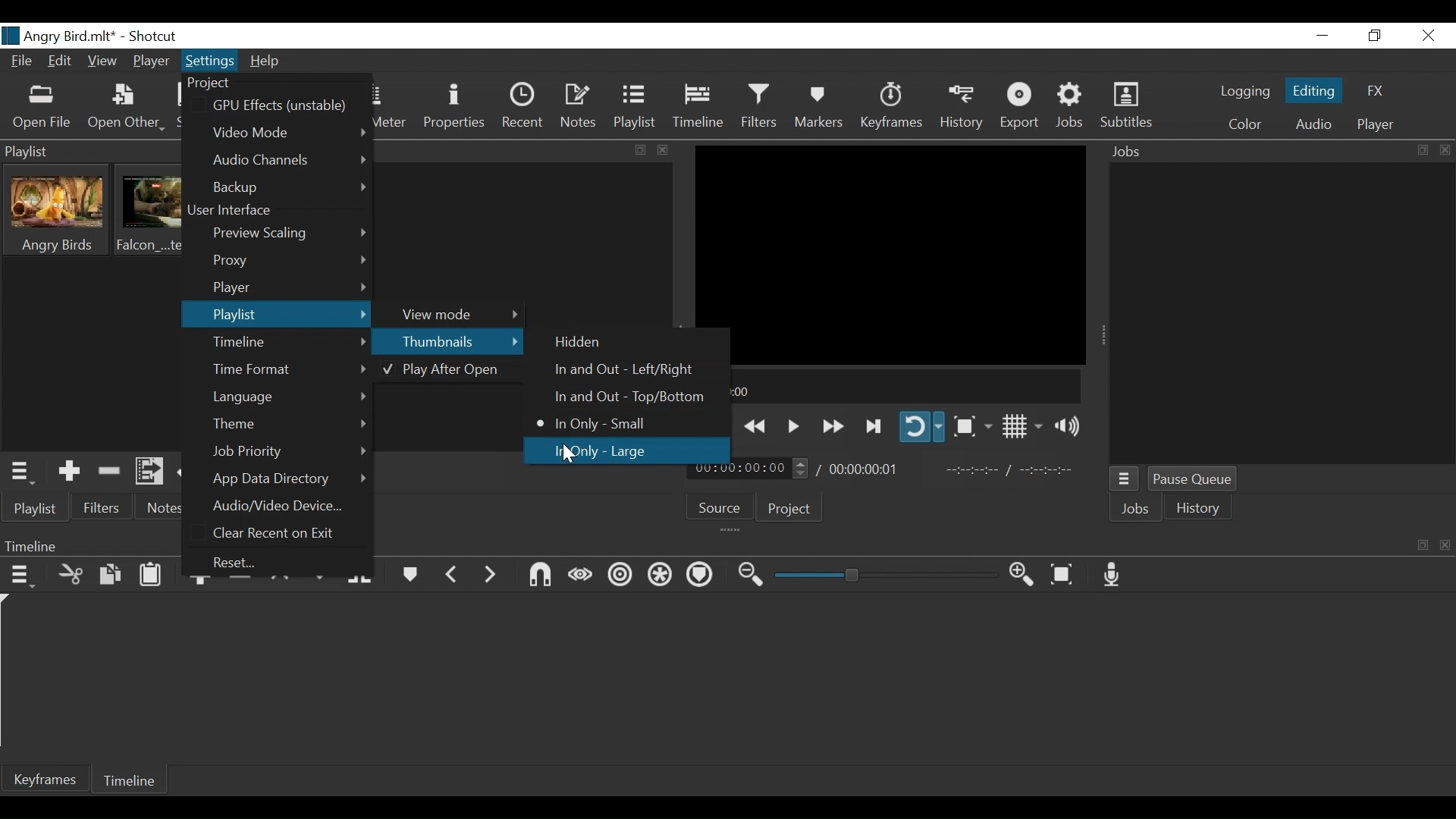 This screenshot has width=1456, height=819. What do you see at coordinates (714, 427) in the screenshot?
I see `Skip to the next point` at bounding box center [714, 427].